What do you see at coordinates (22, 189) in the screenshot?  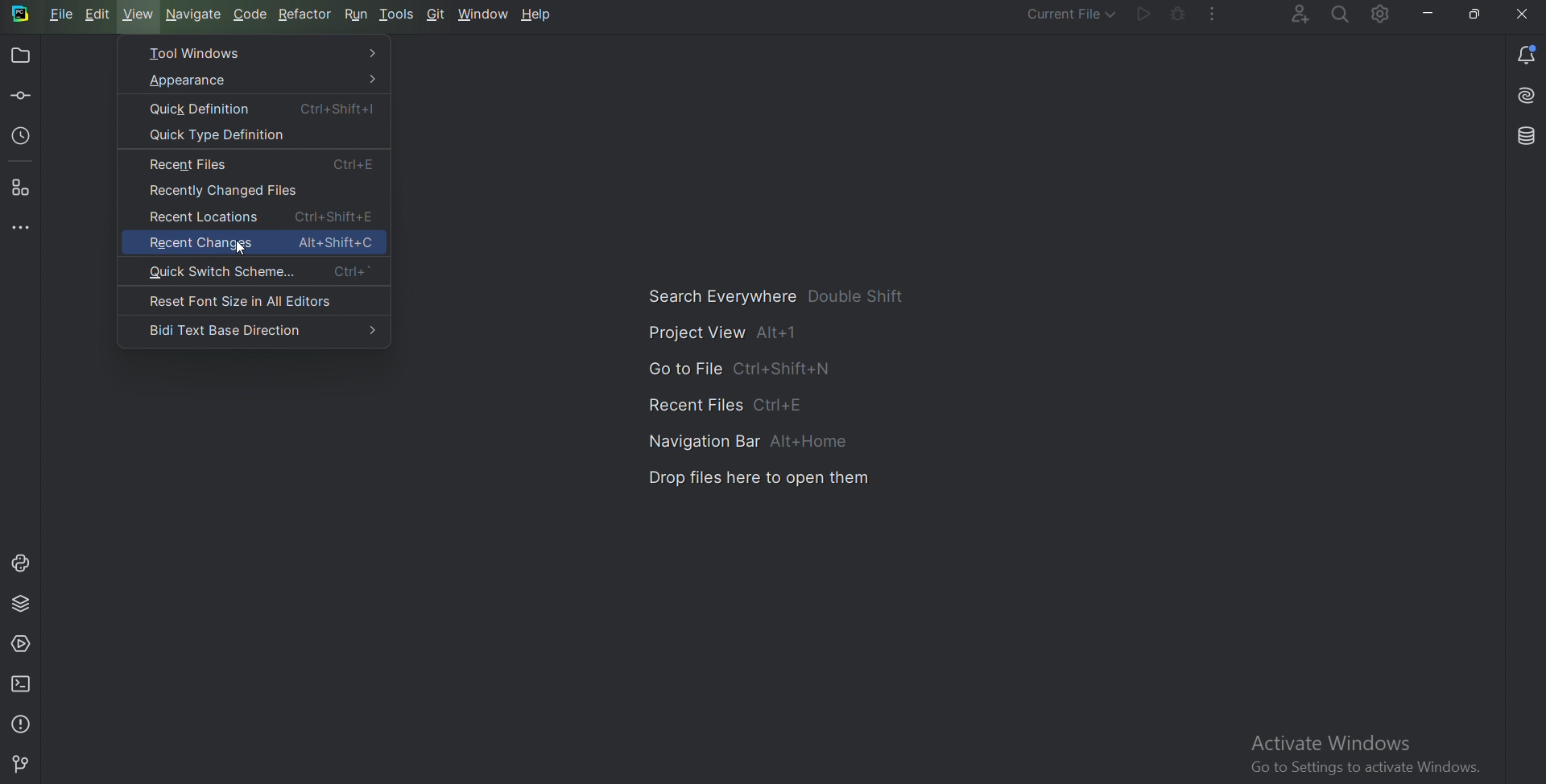 I see `Structure` at bounding box center [22, 189].